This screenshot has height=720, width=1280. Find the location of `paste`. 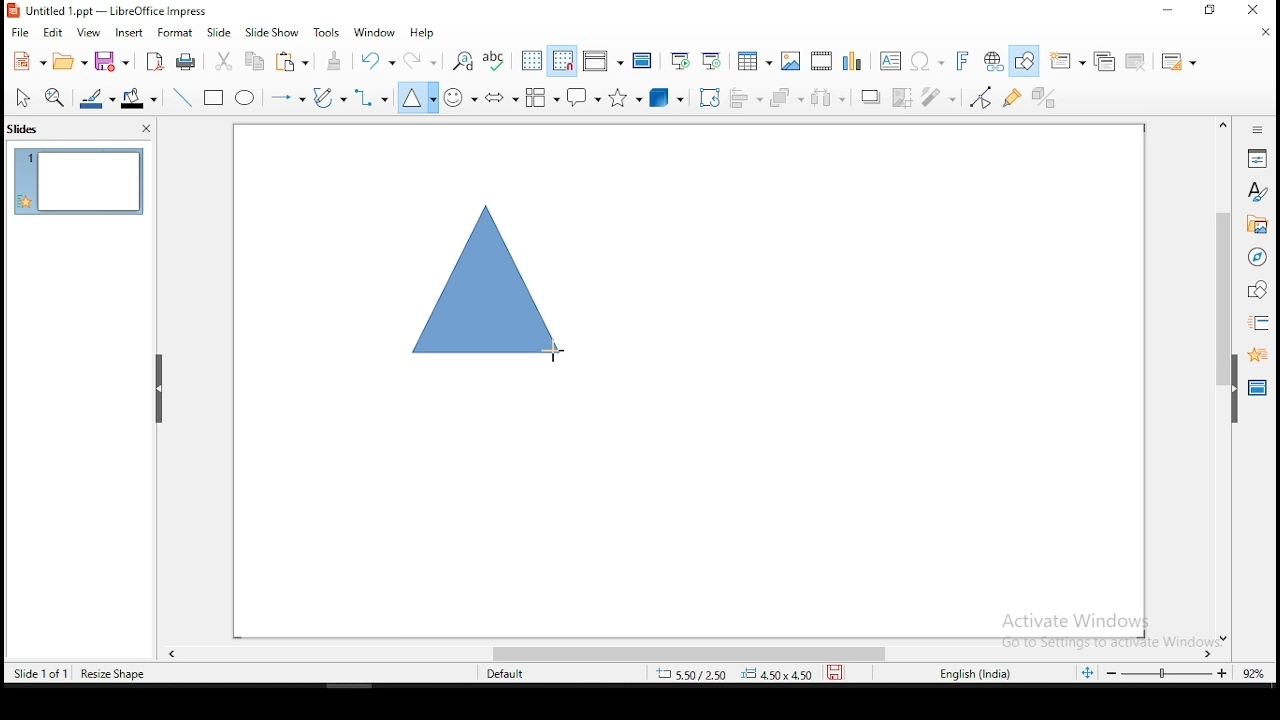

paste is located at coordinates (336, 61).